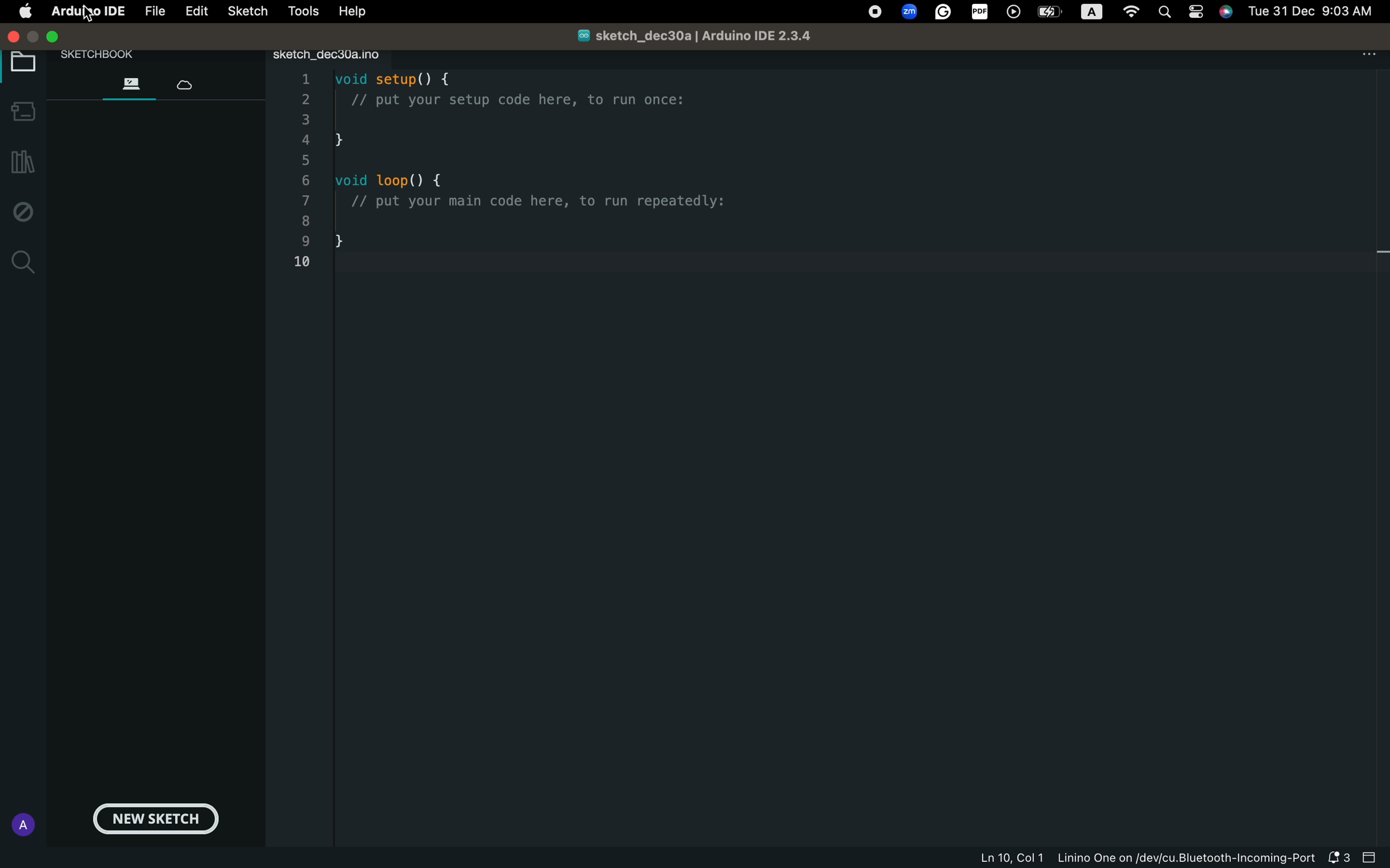 This screenshot has height=868, width=1390. Describe the element at coordinates (910, 10) in the screenshot. I see `Zoom` at that location.